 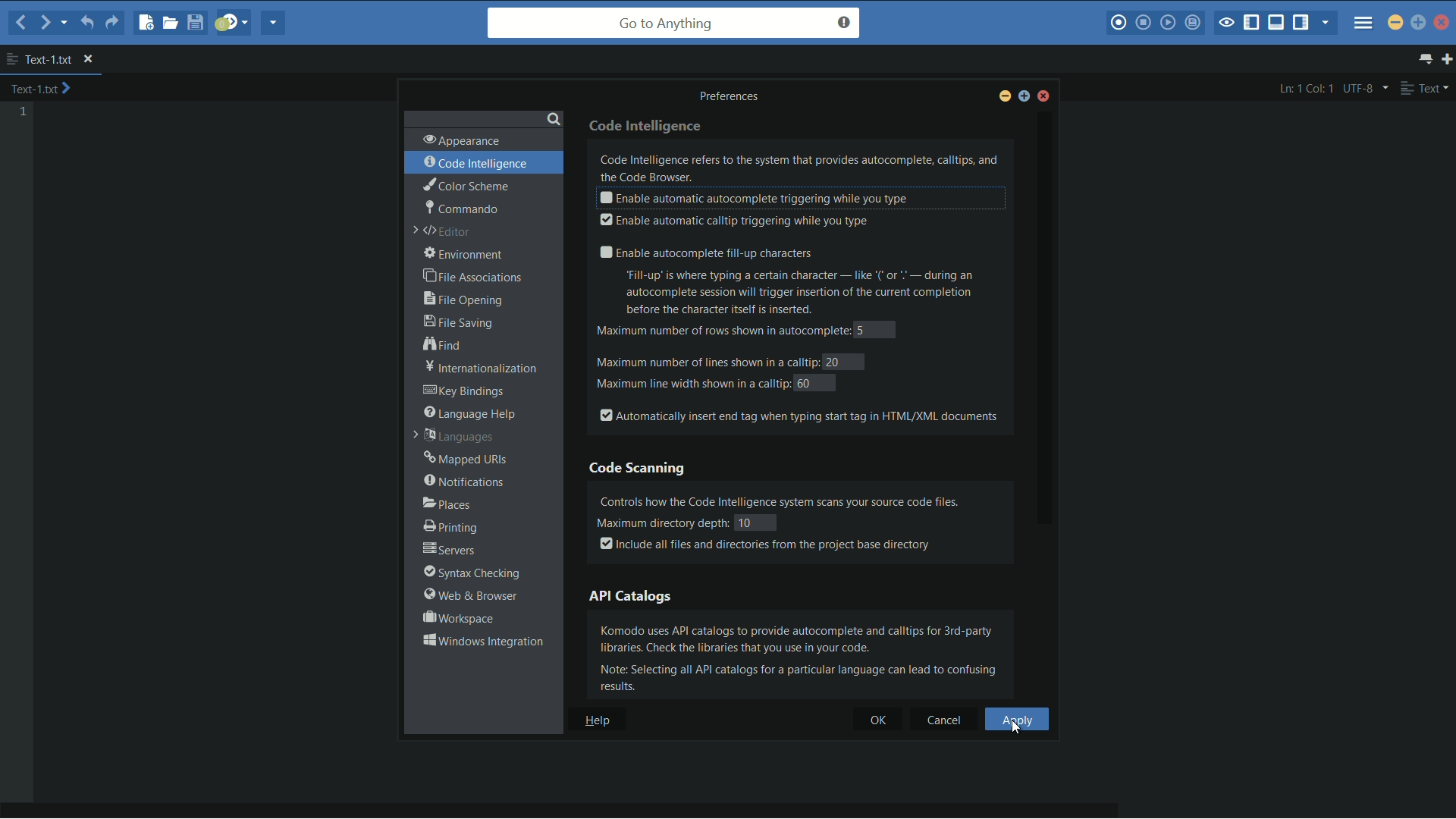 I want to click on apply, so click(x=1018, y=720).